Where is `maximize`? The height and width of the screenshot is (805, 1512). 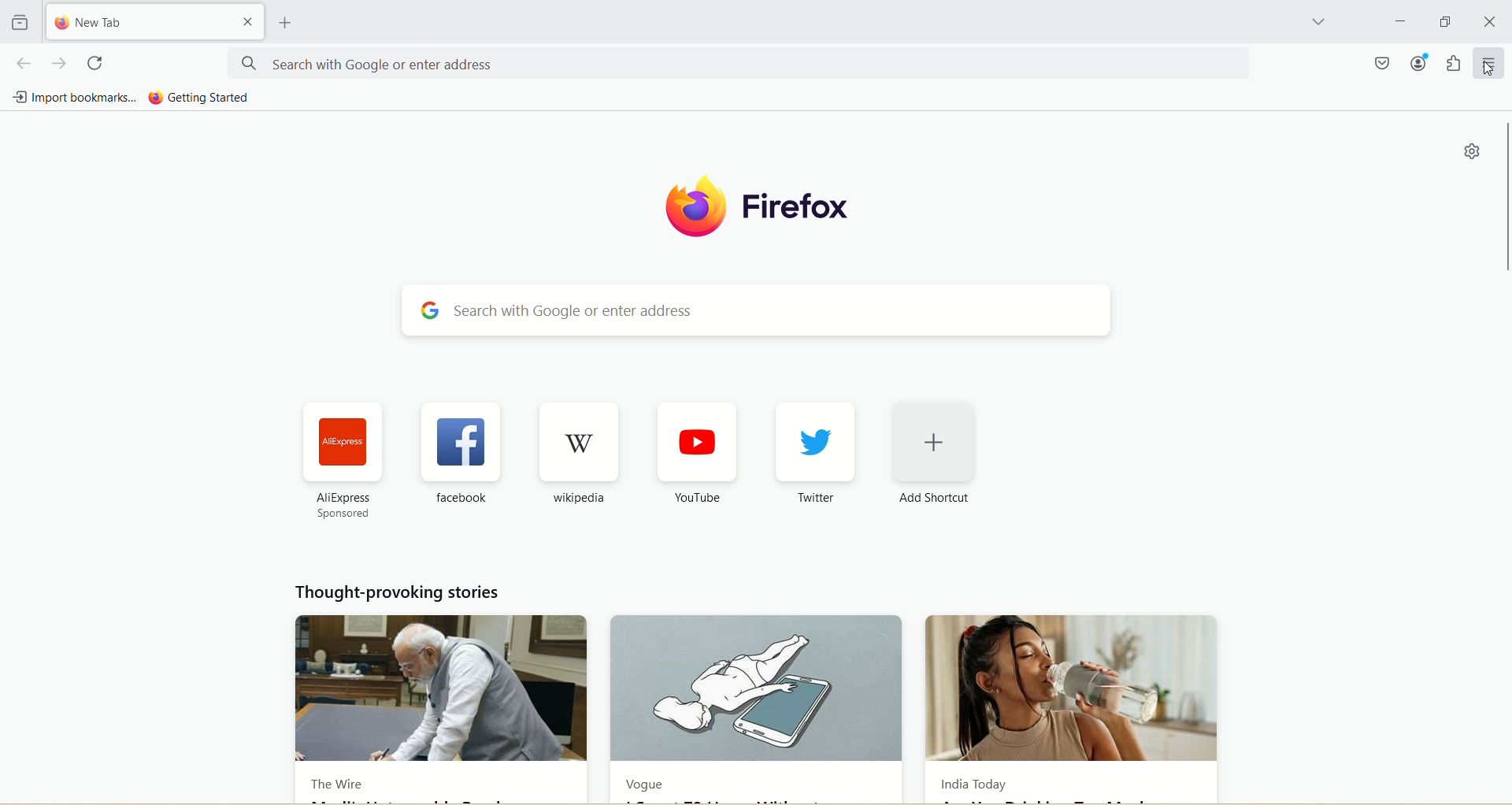 maximize is located at coordinates (1447, 19).